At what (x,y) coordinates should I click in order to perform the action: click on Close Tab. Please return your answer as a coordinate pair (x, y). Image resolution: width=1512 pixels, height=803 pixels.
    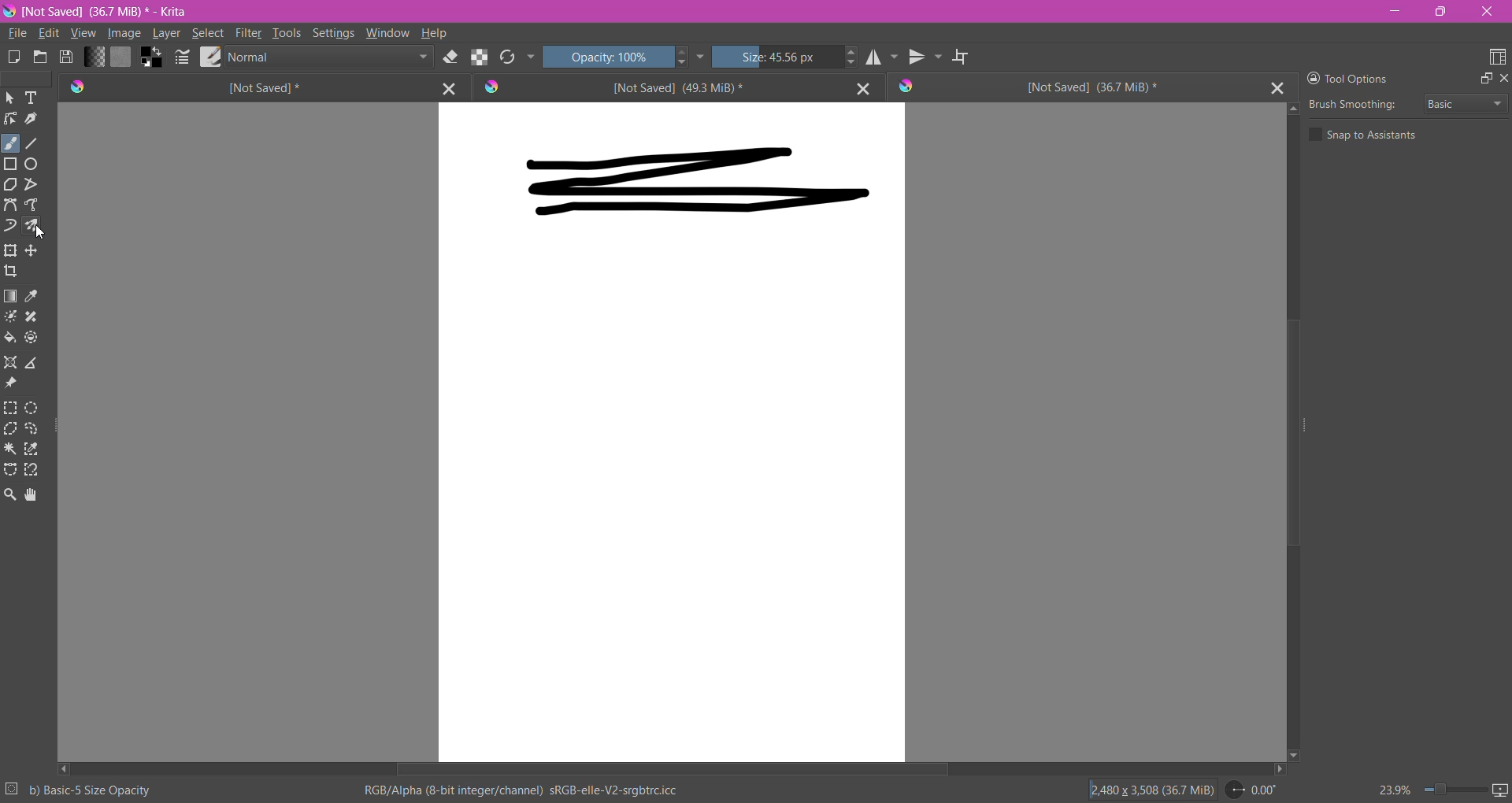
    Looking at the image, I should click on (859, 87).